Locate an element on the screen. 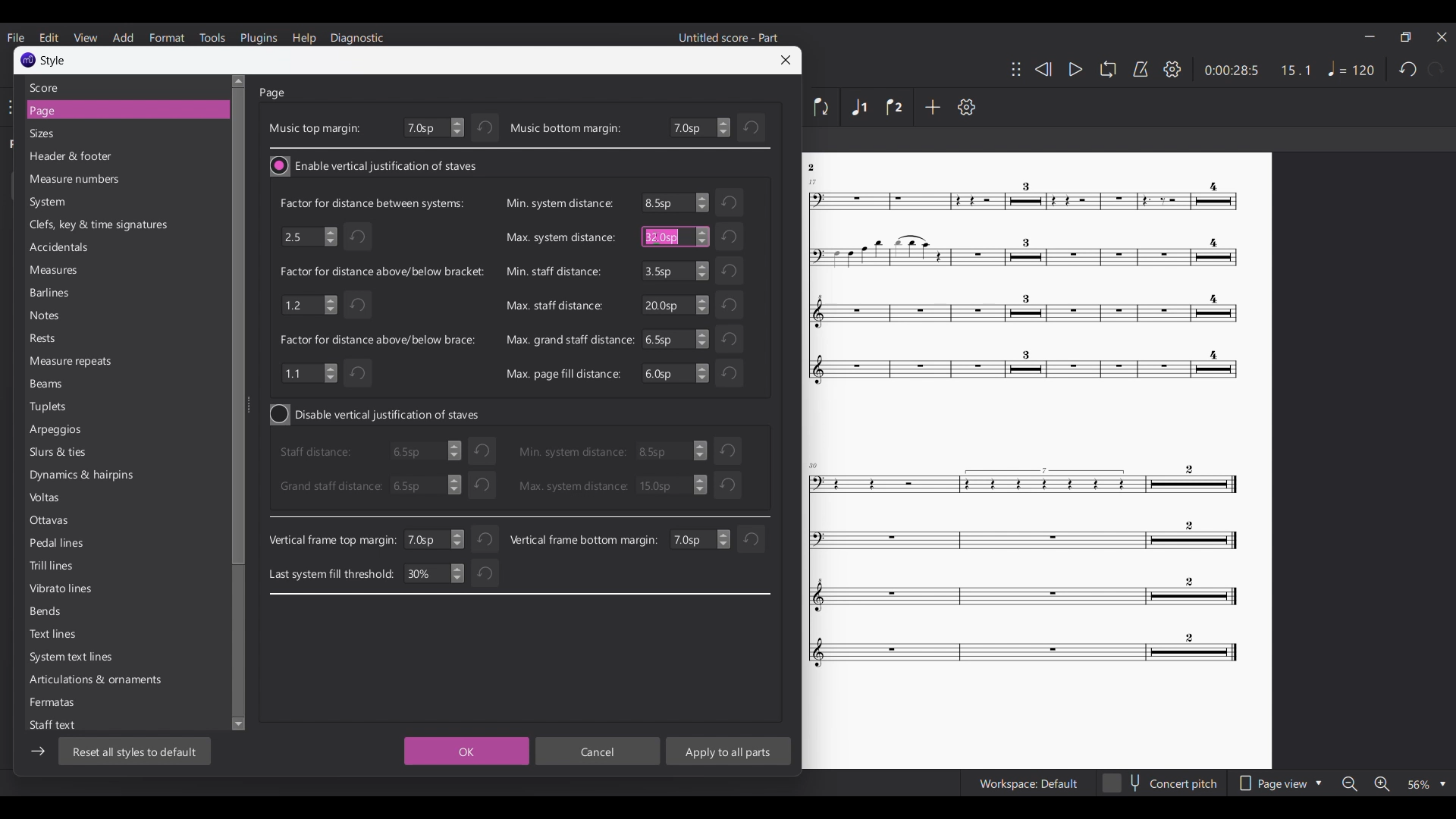 This screenshot has height=819, width=1456. Beams is located at coordinates (73, 385).